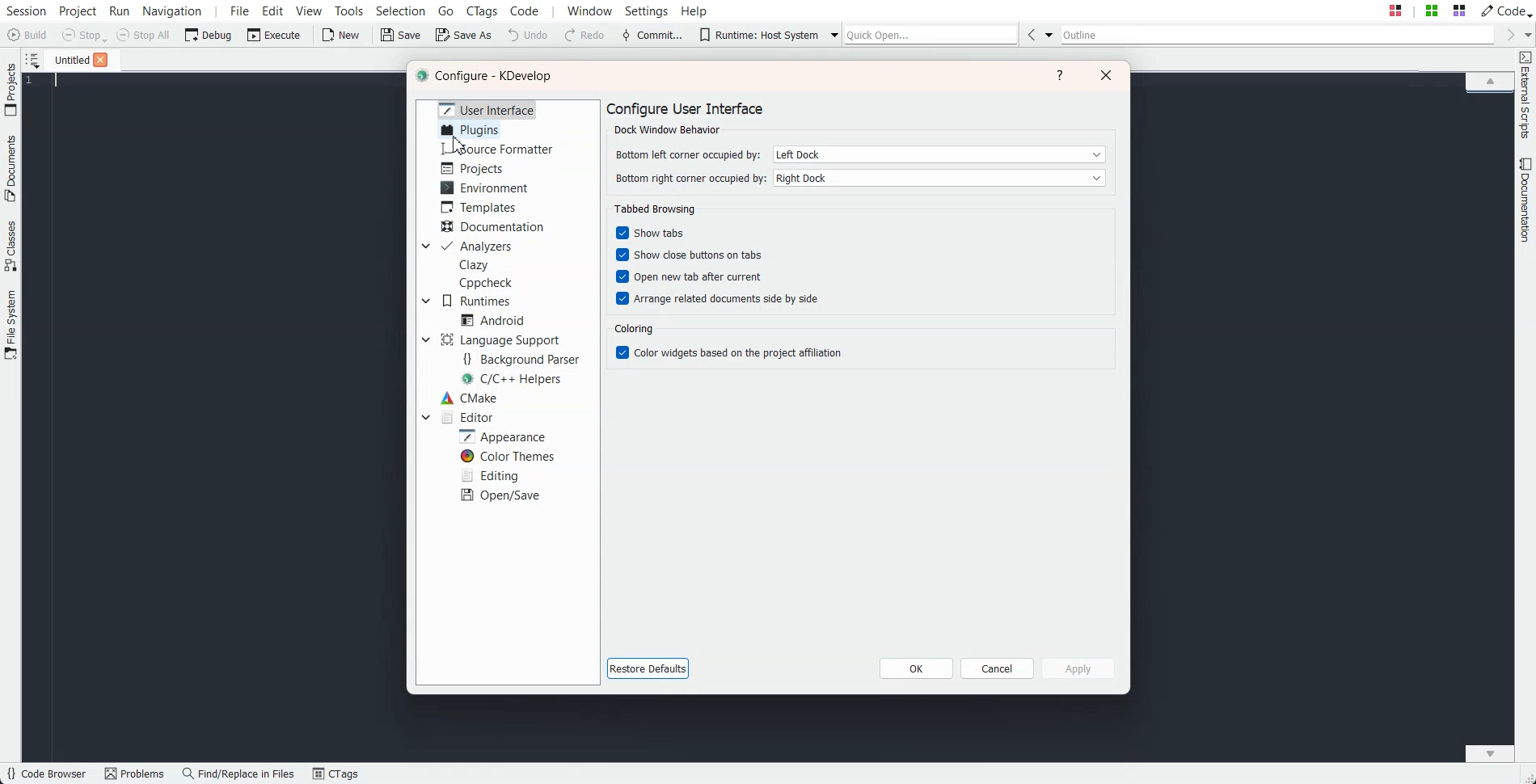 Image resolution: width=1536 pixels, height=784 pixels. What do you see at coordinates (502, 495) in the screenshot?
I see `Open/Save` at bounding box center [502, 495].